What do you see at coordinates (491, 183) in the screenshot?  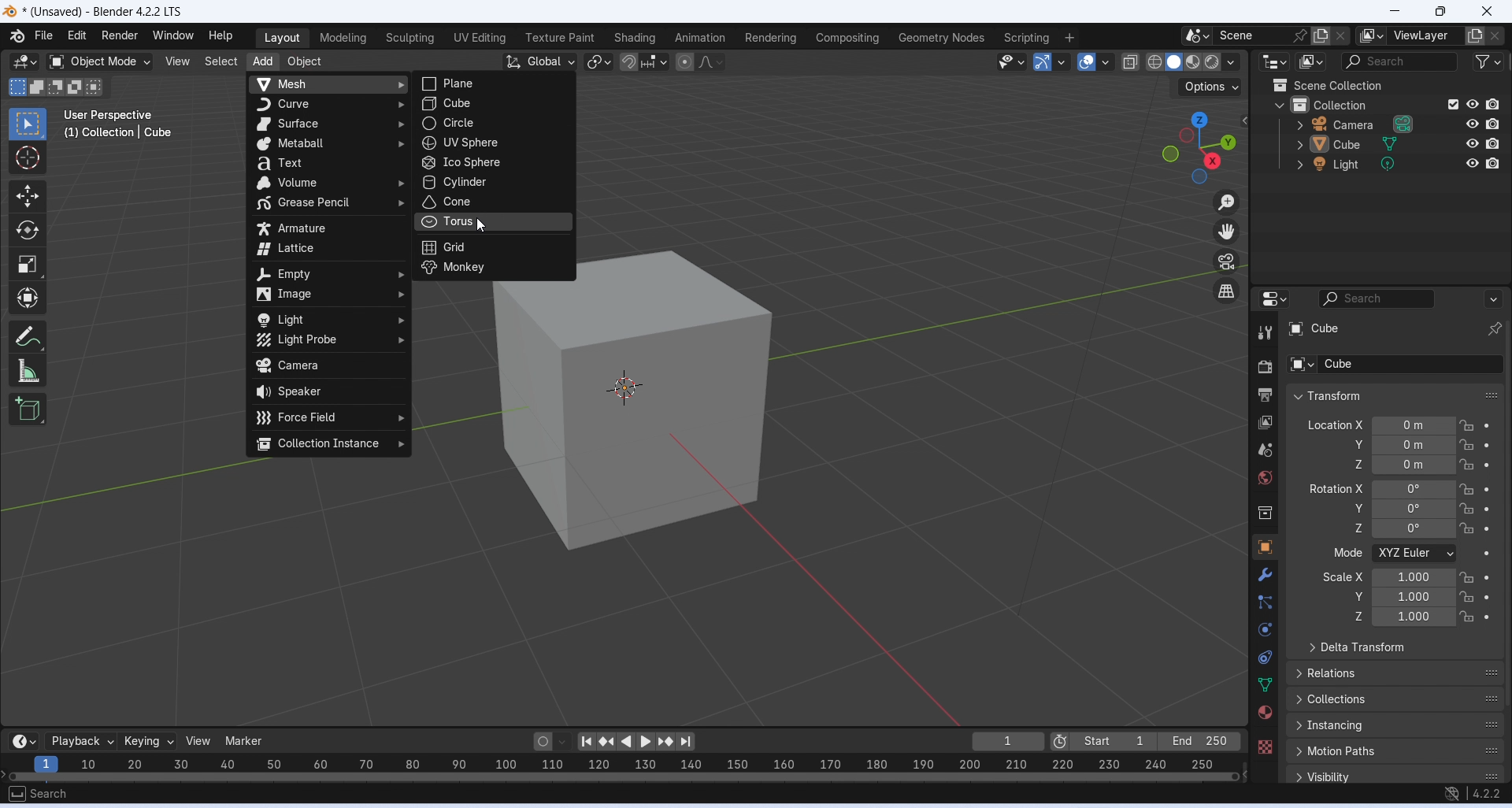 I see `cylinder` at bounding box center [491, 183].